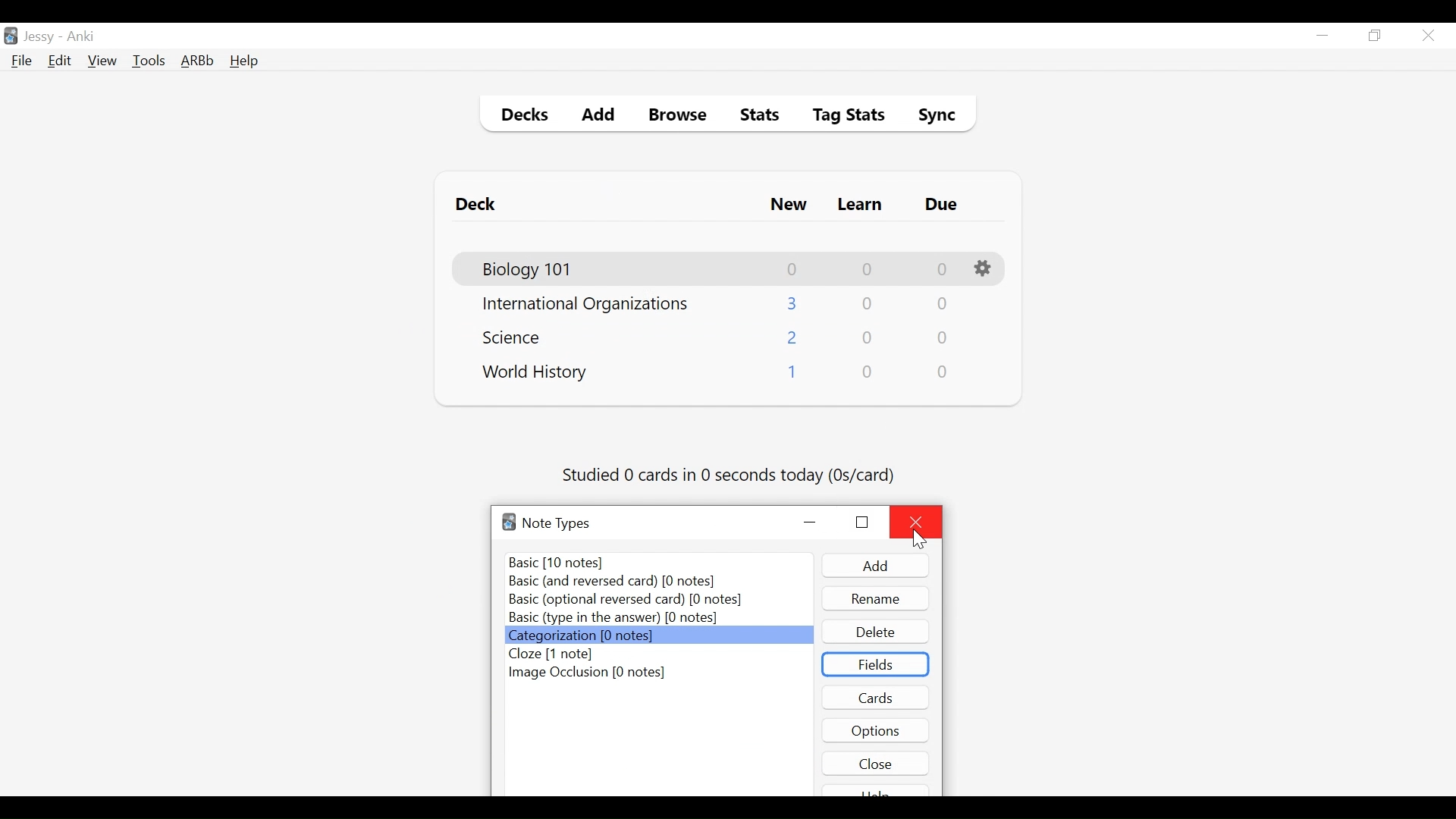 This screenshot has width=1456, height=819. Describe the element at coordinates (877, 697) in the screenshot. I see `Cards` at that location.